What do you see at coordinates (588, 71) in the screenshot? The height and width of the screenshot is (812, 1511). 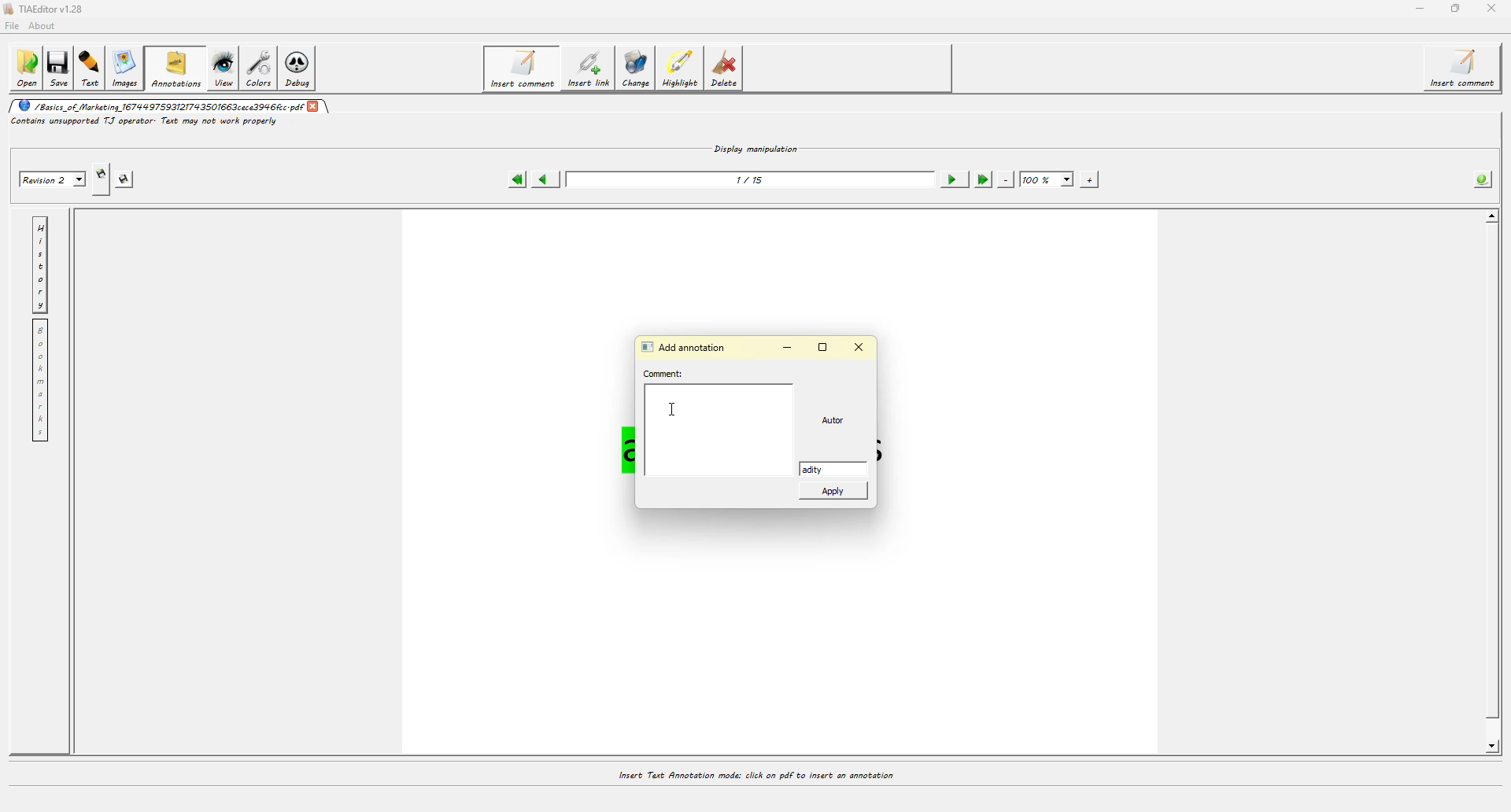 I see `insert link` at bounding box center [588, 71].